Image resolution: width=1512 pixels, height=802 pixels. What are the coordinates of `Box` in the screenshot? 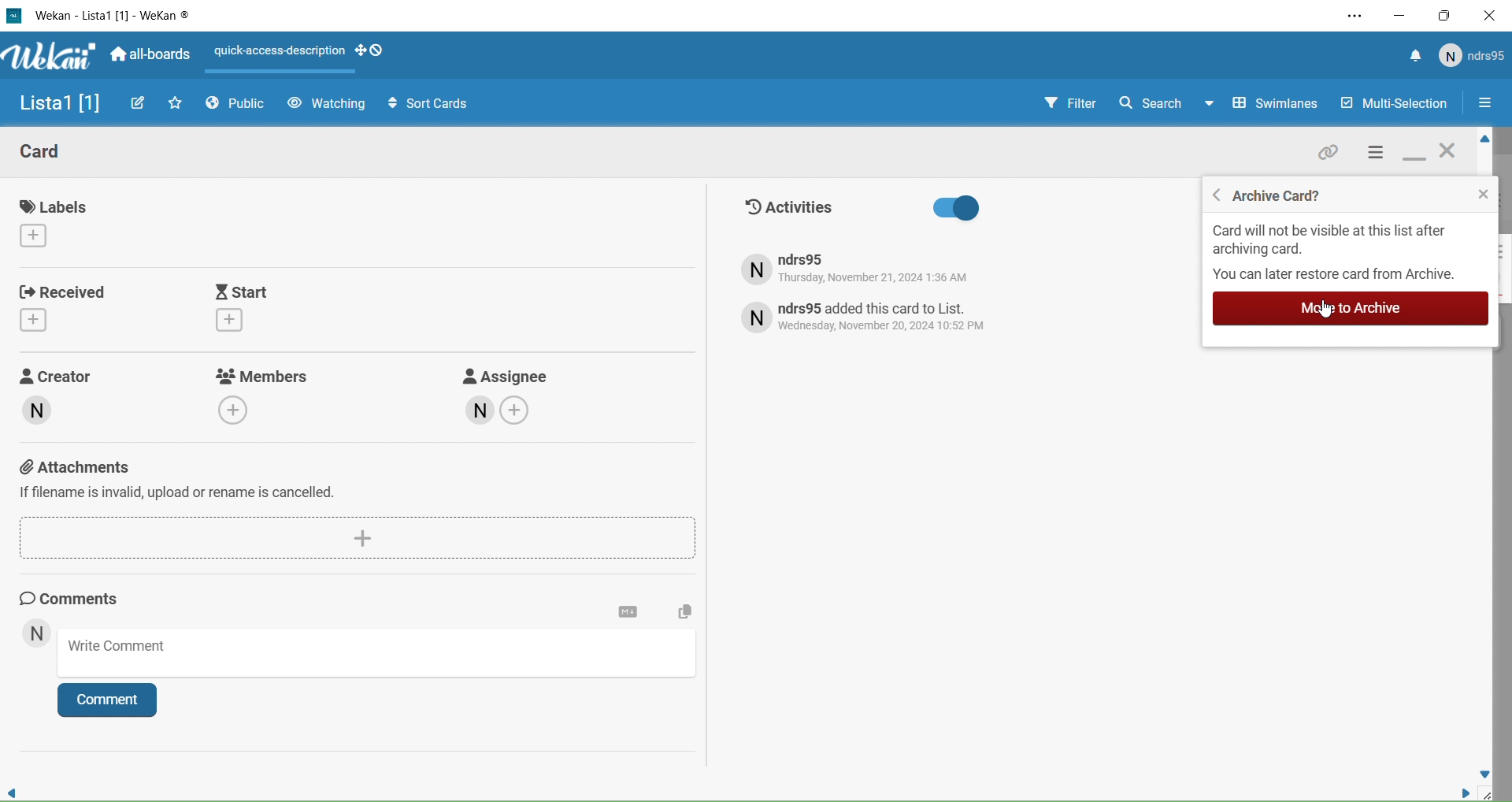 It's located at (1443, 17).